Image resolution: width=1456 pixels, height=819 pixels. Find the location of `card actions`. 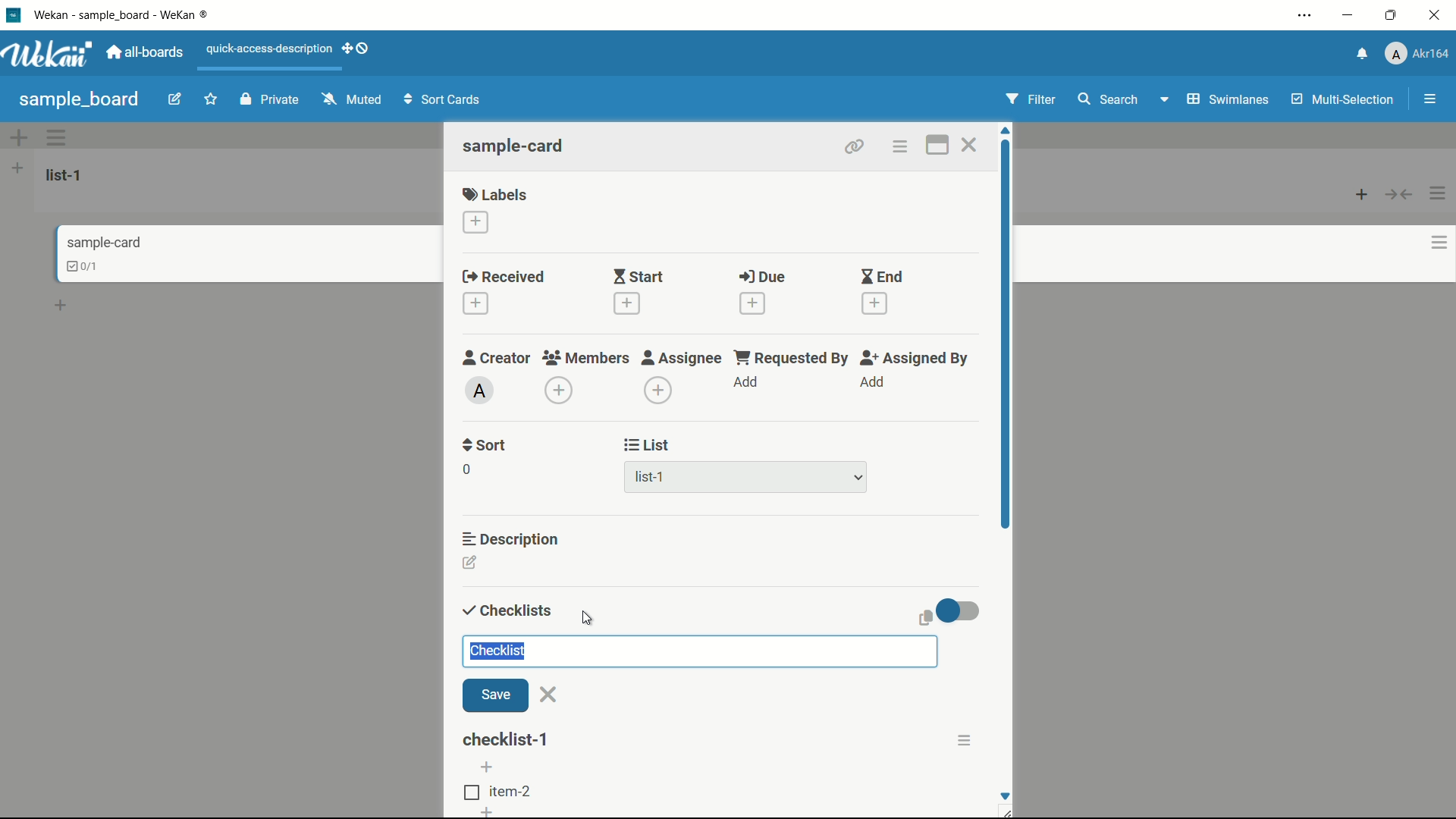

card actions is located at coordinates (899, 147).